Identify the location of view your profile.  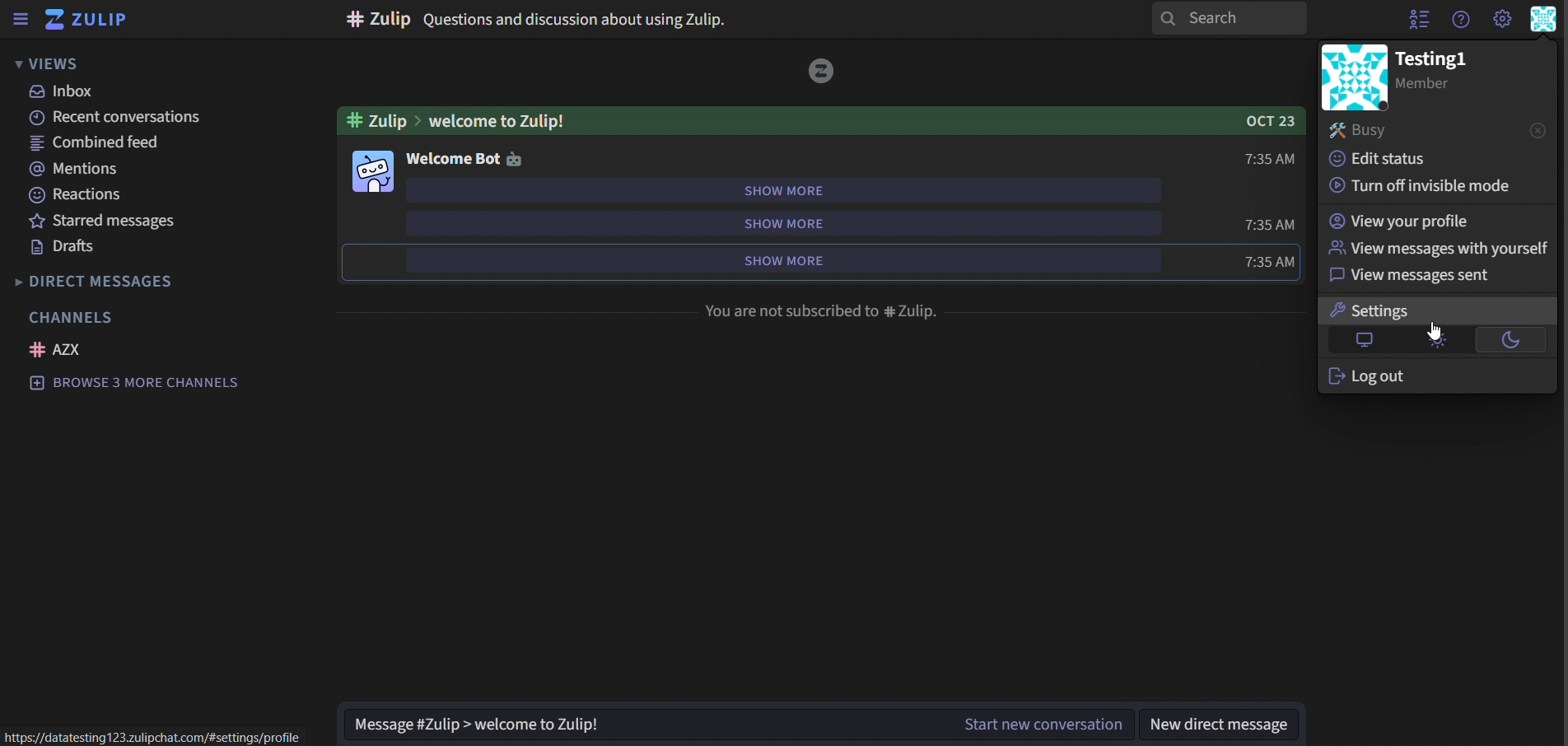
(1402, 220).